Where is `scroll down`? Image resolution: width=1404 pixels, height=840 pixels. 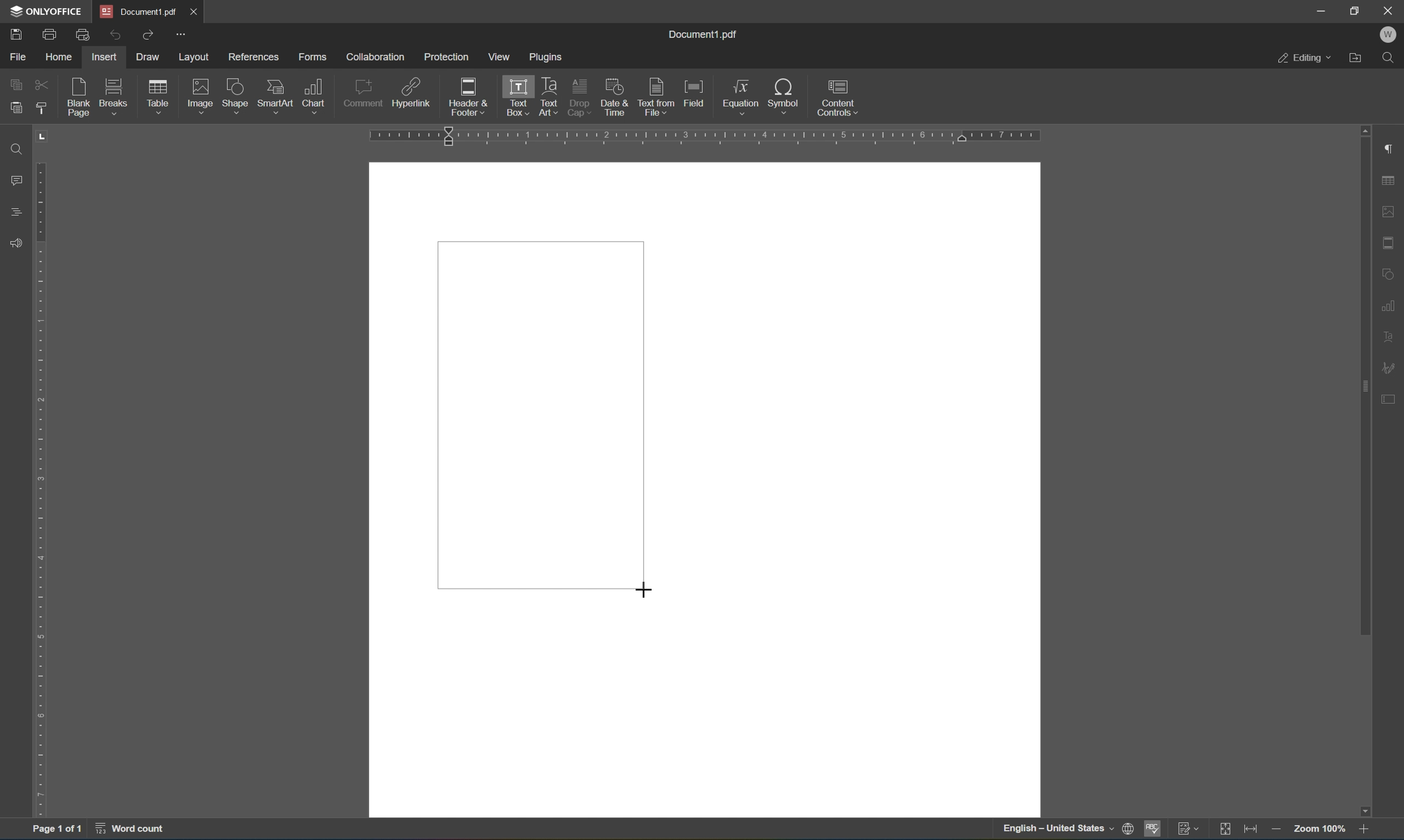
scroll down is located at coordinates (1364, 811).